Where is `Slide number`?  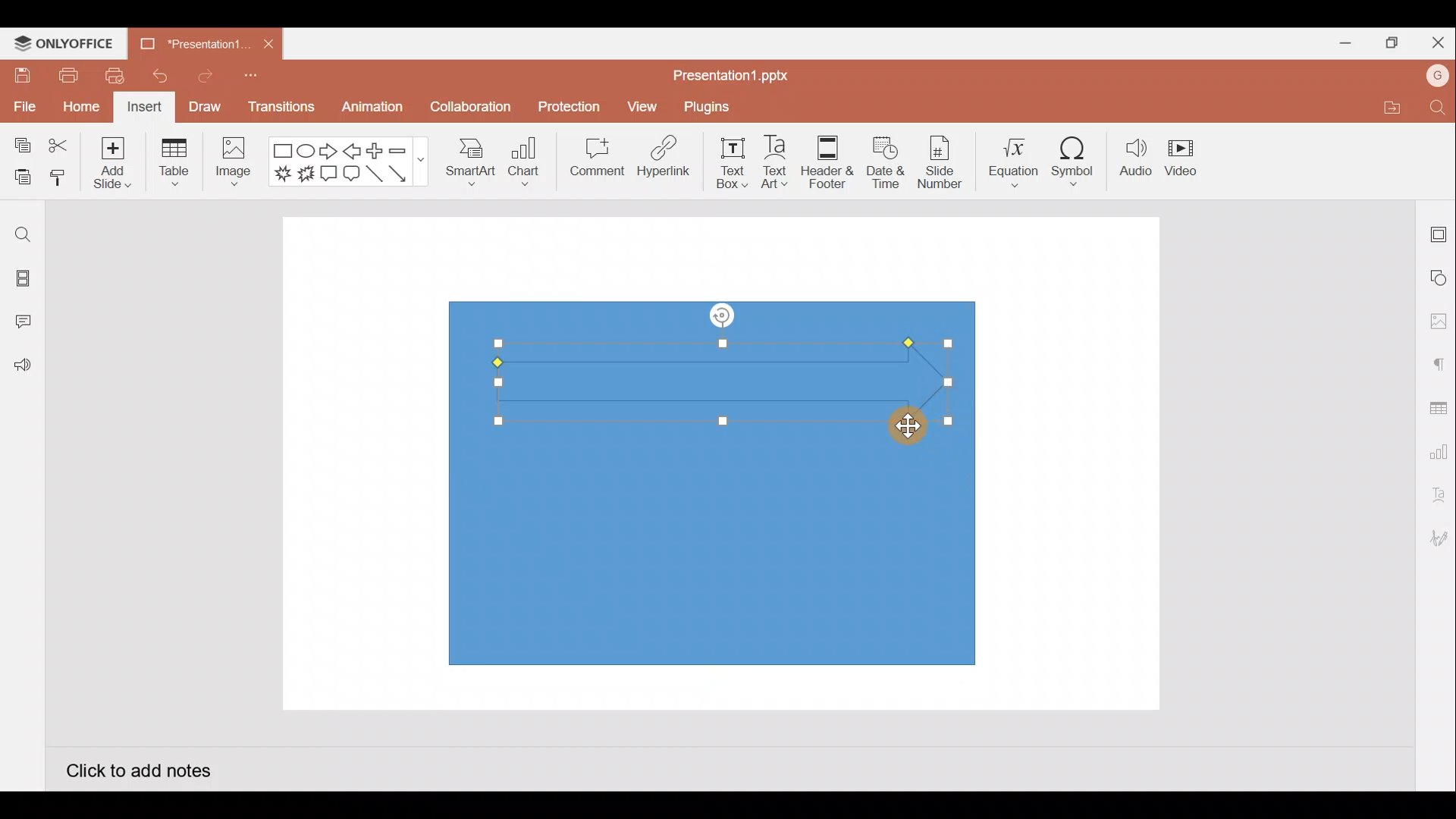 Slide number is located at coordinates (939, 162).